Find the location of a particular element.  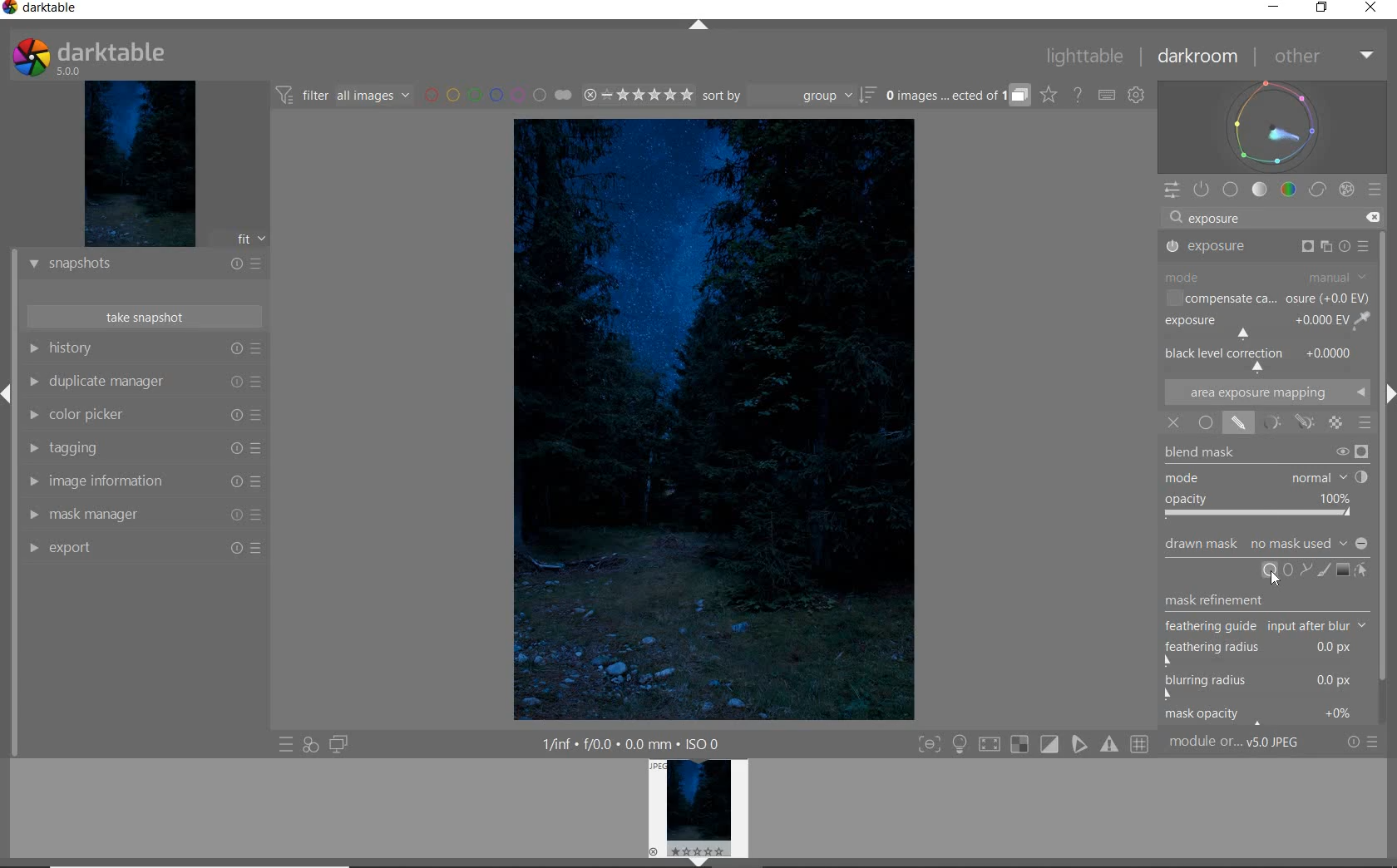

PRESETS is located at coordinates (1376, 188).